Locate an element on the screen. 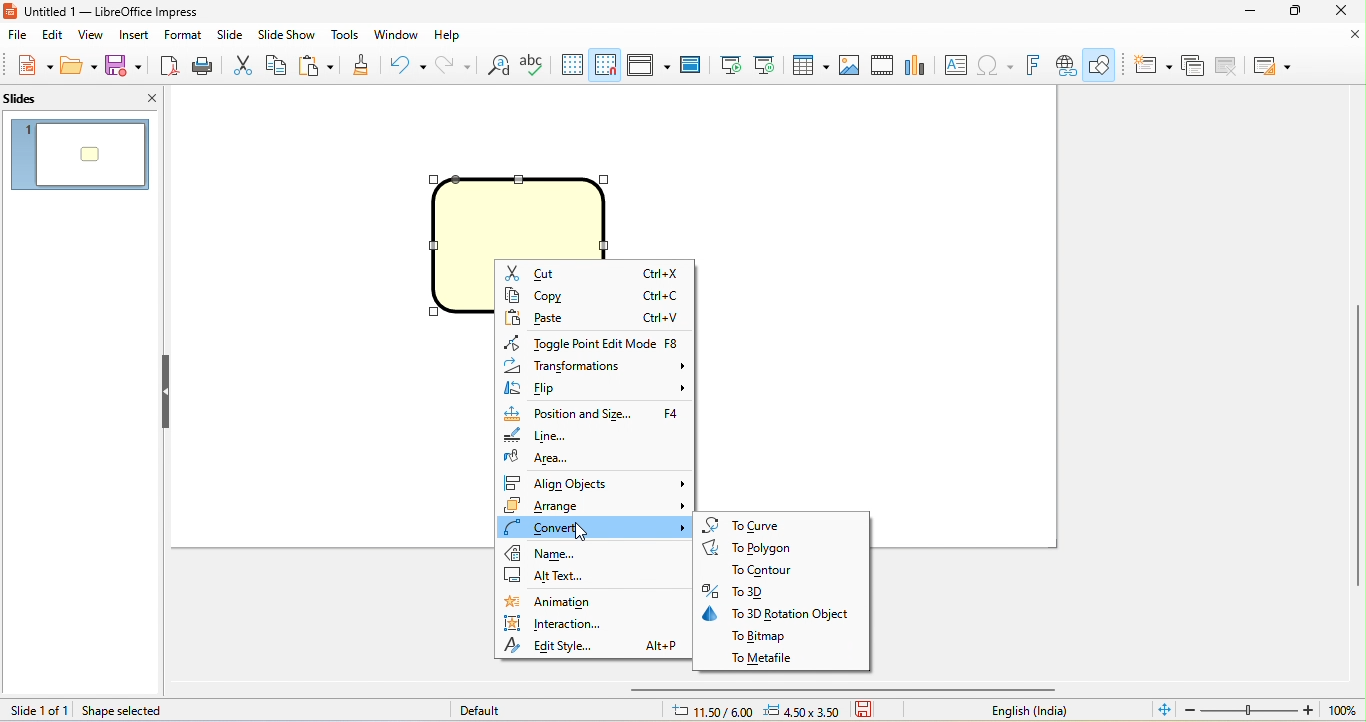 This screenshot has height=722, width=1366. 1. slide is located at coordinates (79, 154).